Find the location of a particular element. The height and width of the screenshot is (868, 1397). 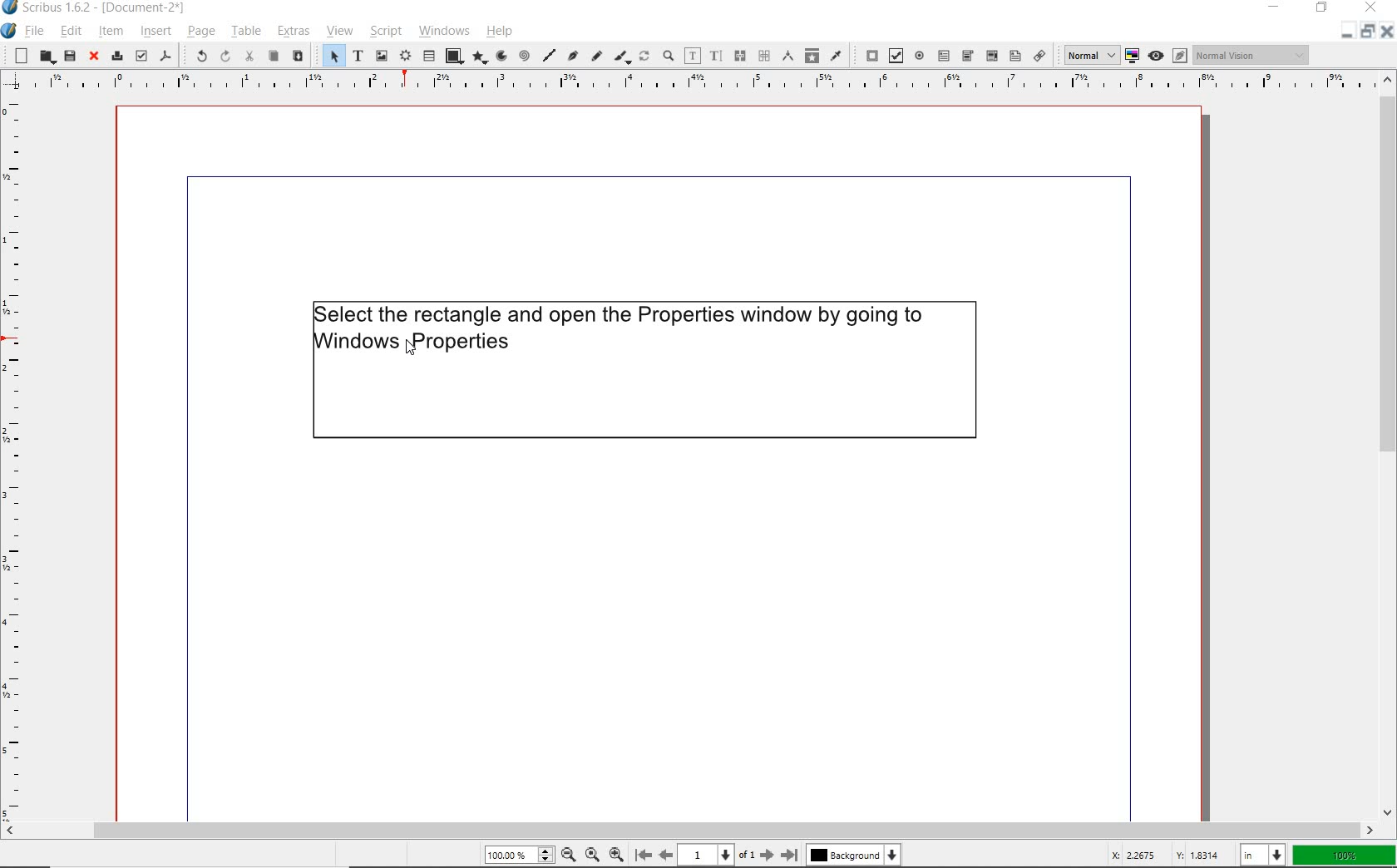

calligraphic line is located at coordinates (622, 57).